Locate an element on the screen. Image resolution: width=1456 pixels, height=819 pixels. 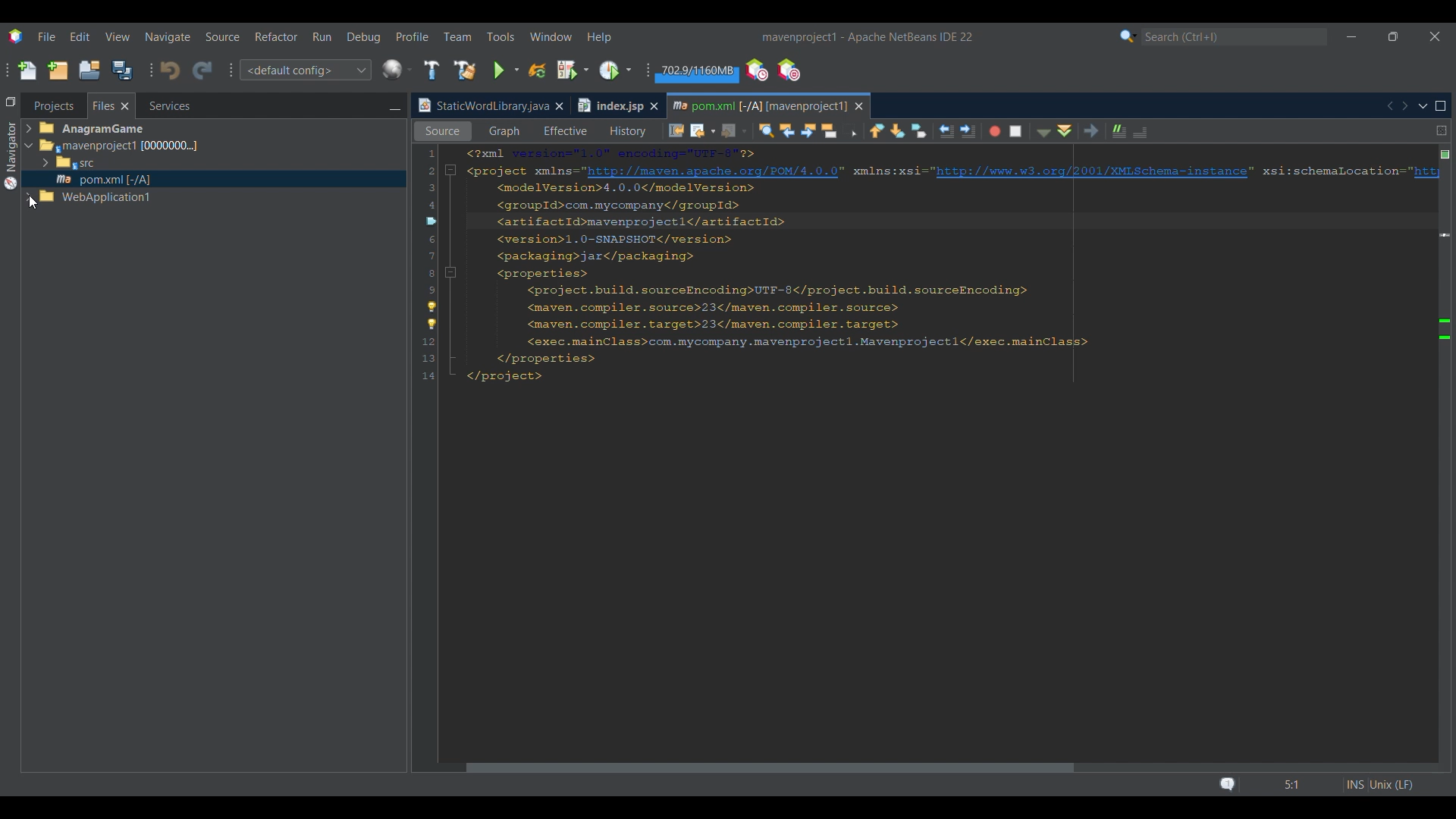
New file is located at coordinates (27, 71).